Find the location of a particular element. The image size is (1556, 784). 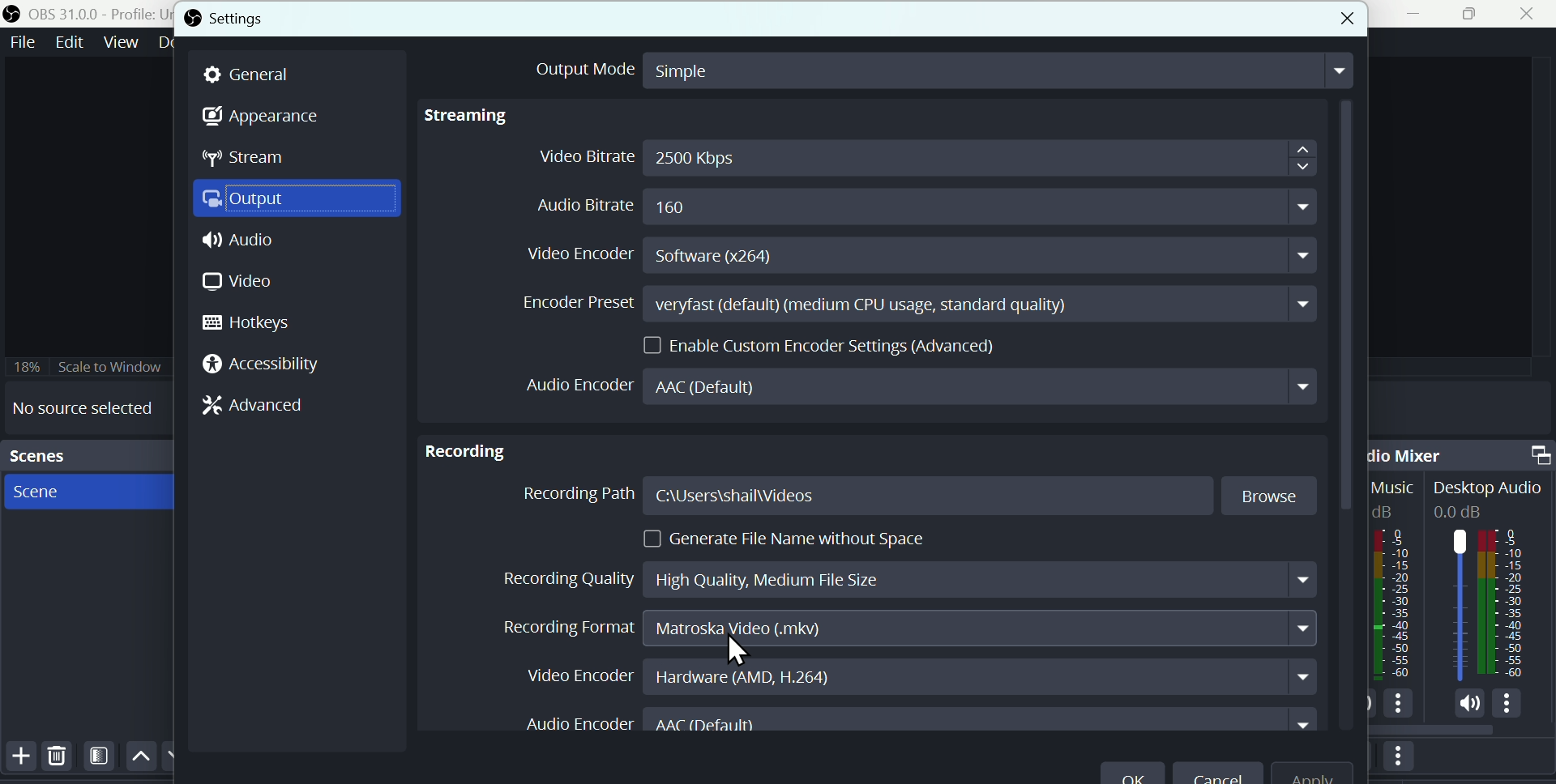

Maximise is located at coordinates (1474, 16).